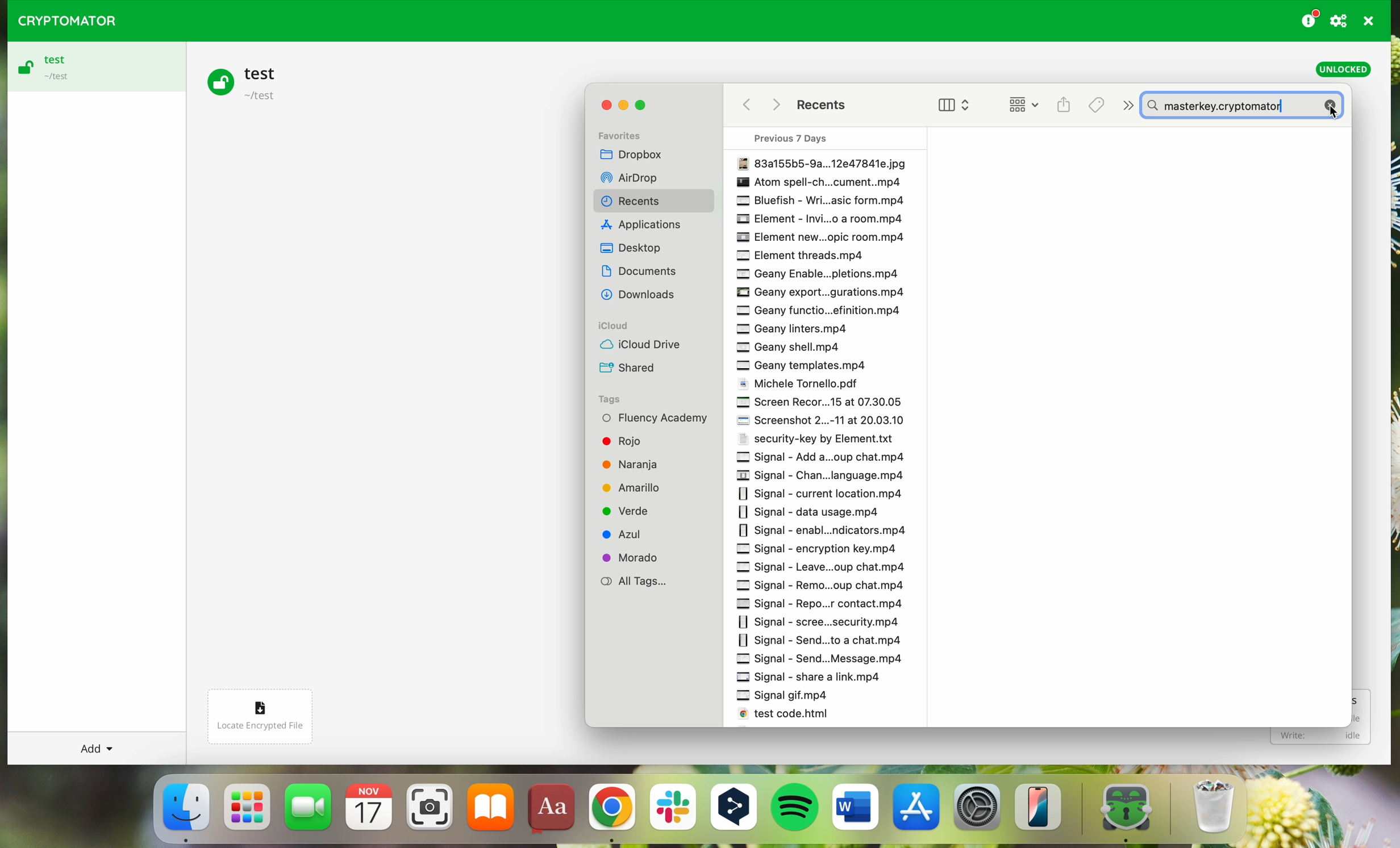 This screenshot has width=1400, height=848. What do you see at coordinates (644, 105) in the screenshot?
I see `maximize` at bounding box center [644, 105].